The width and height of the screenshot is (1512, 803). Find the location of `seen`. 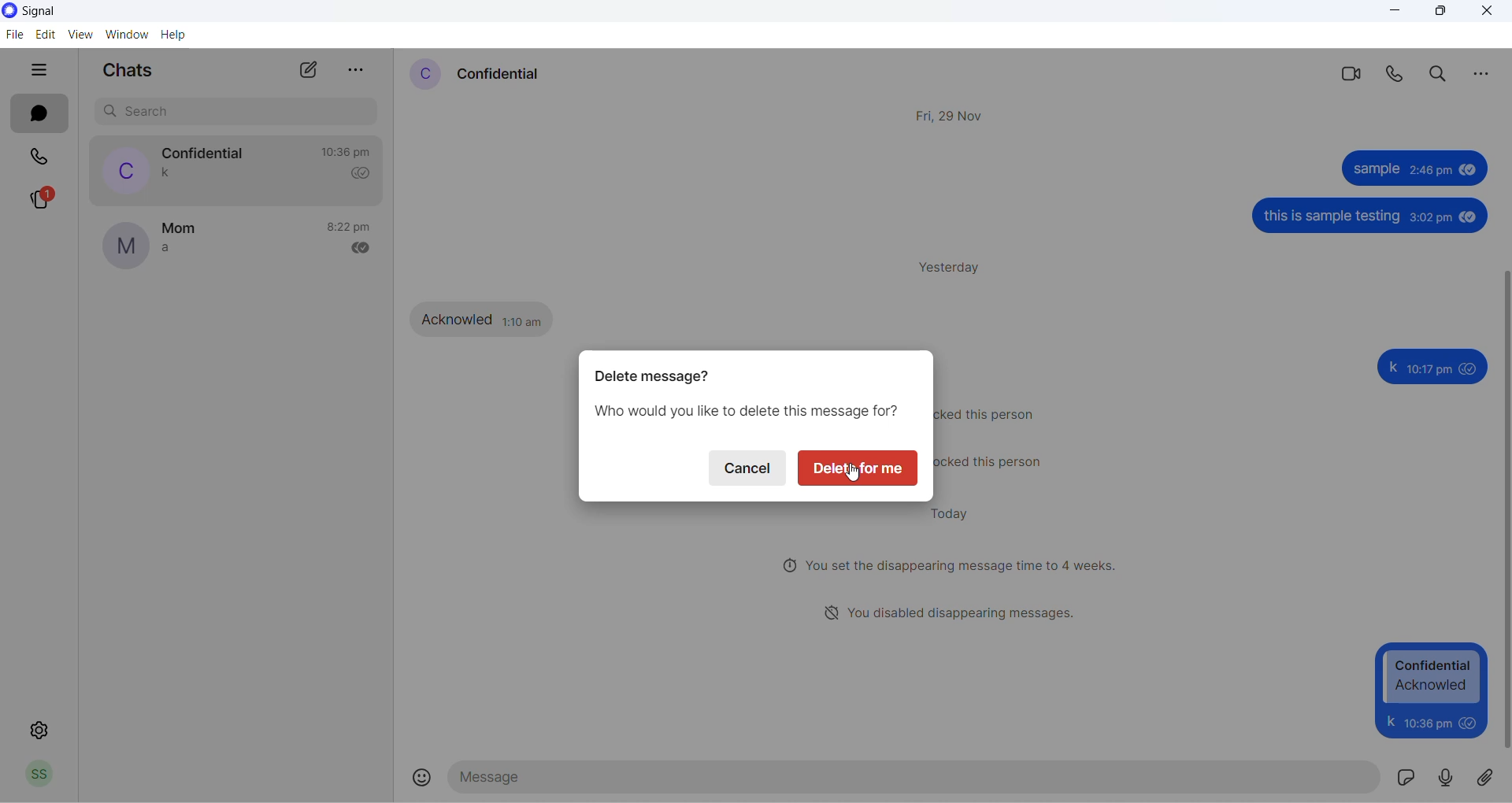

seen is located at coordinates (1472, 723).